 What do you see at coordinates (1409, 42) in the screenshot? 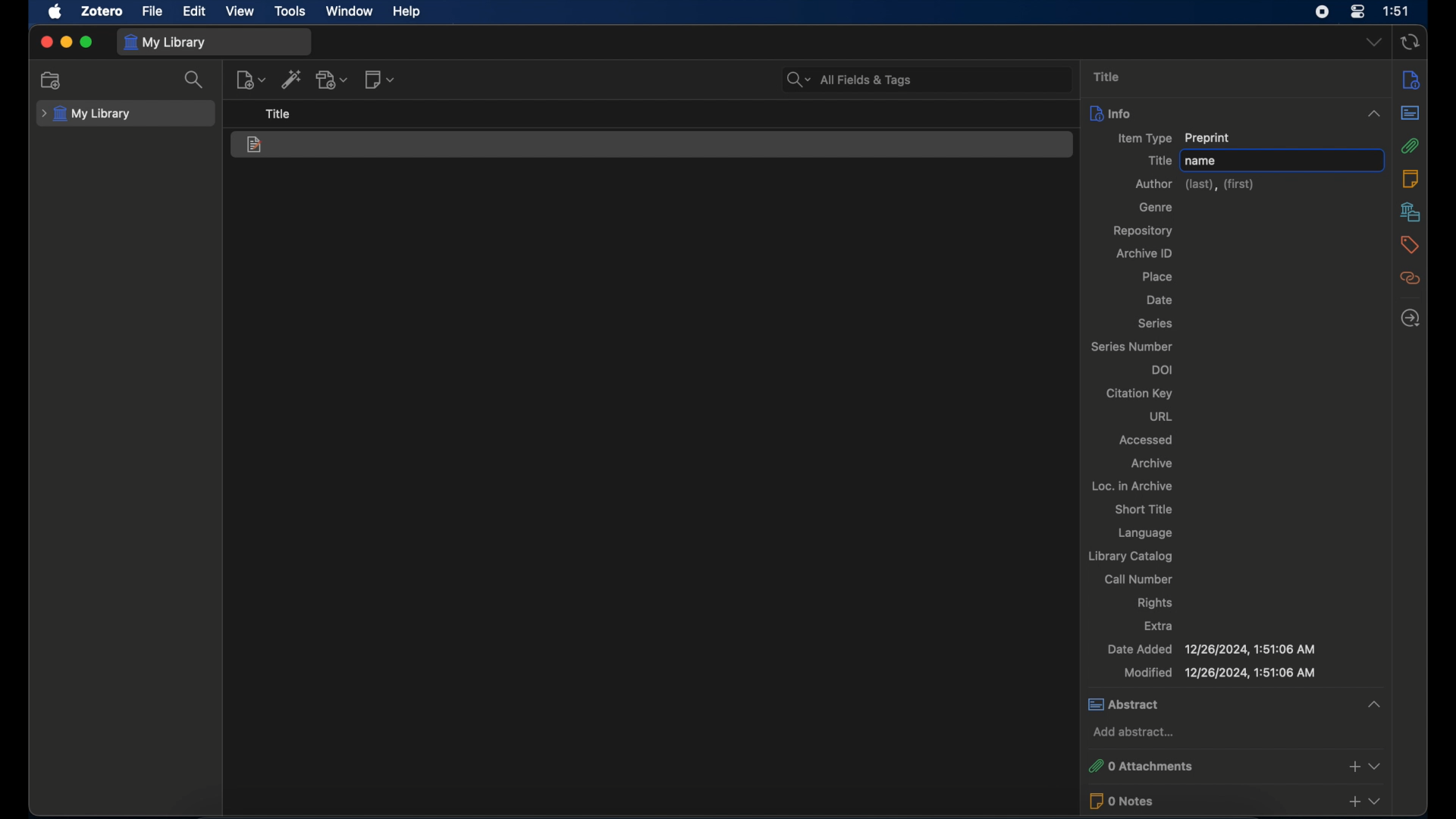
I see `sync` at bounding box center [1409, 42].